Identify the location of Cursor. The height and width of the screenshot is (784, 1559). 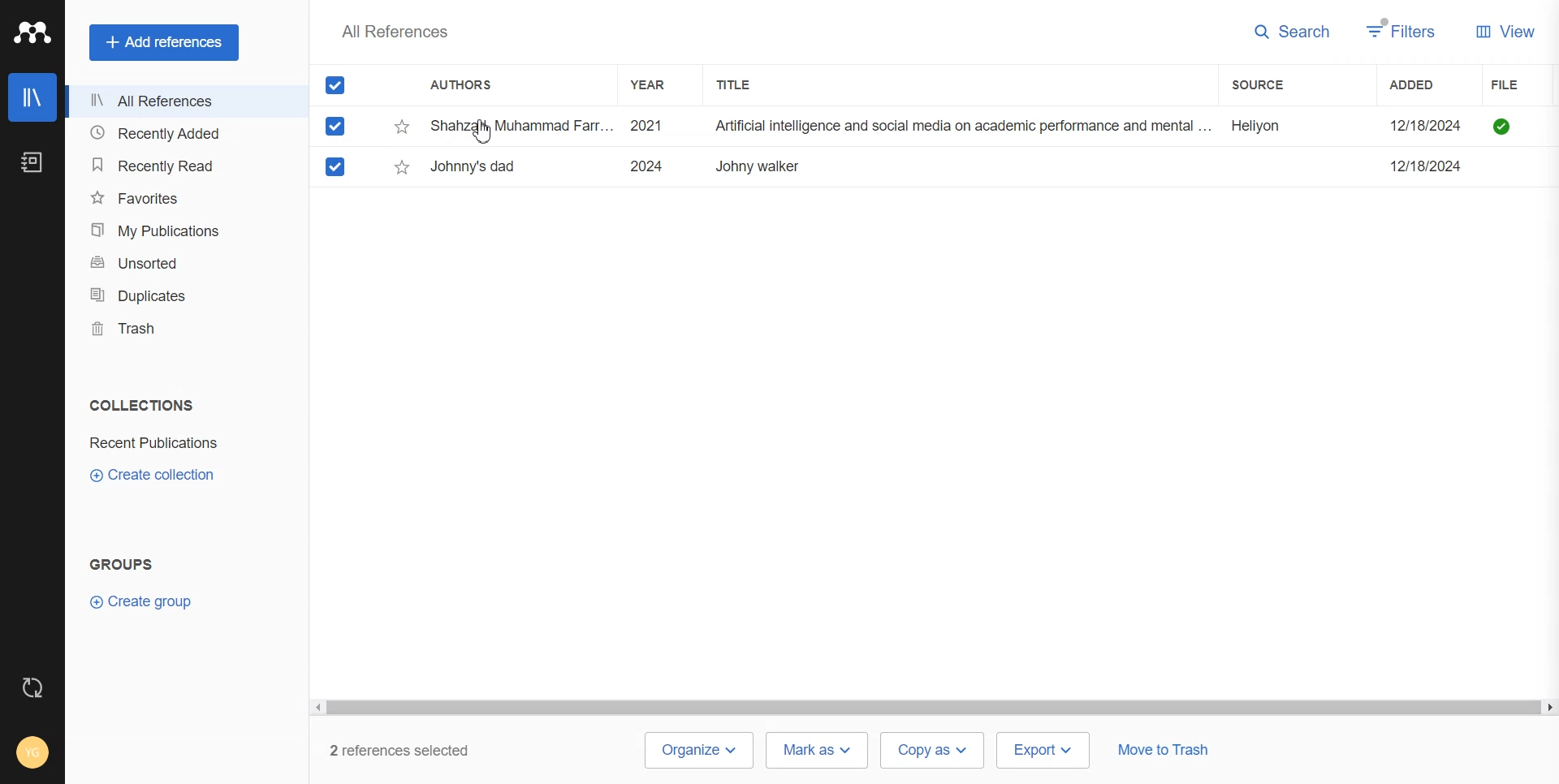
(484, 132).